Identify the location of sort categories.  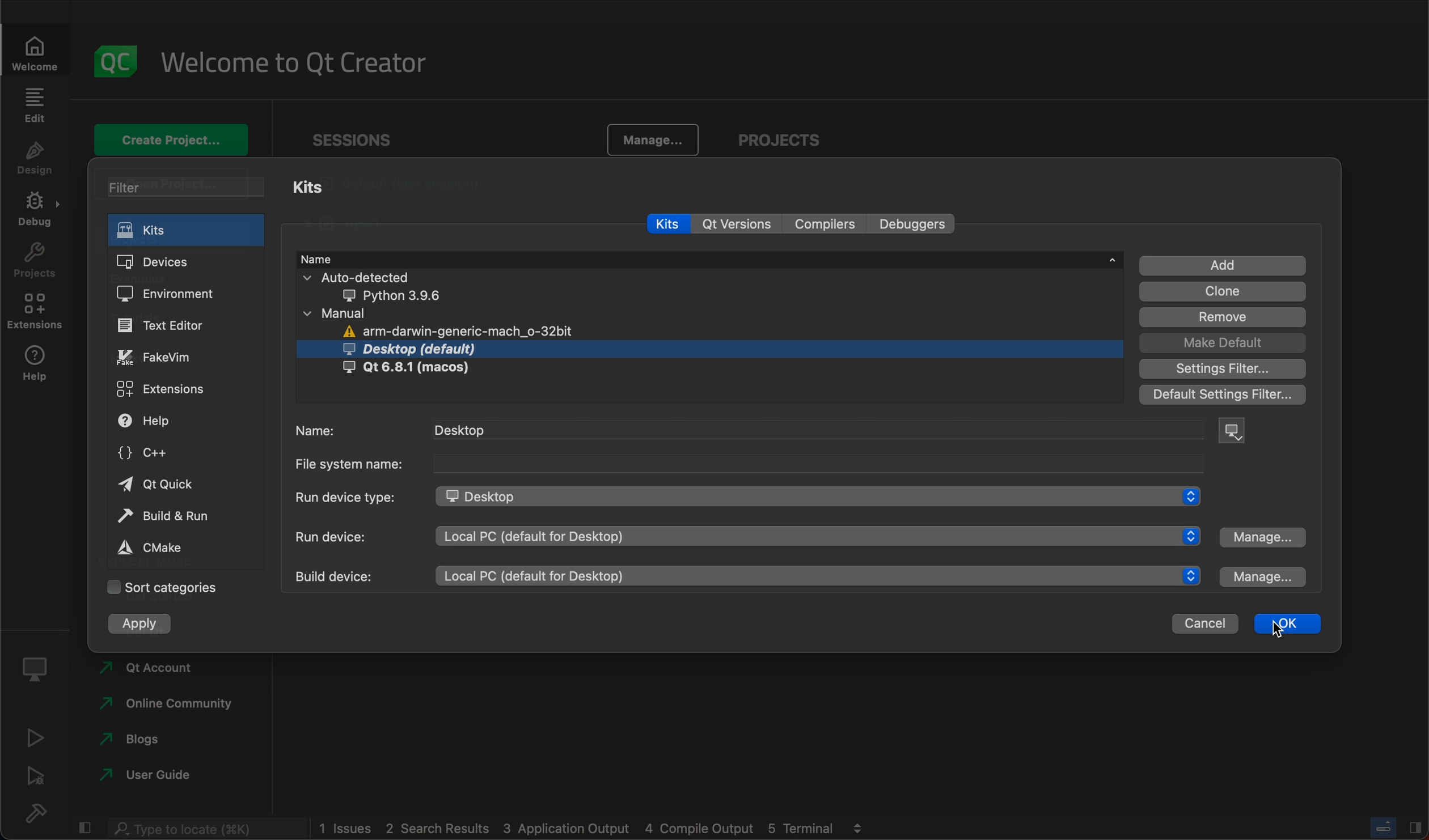
(162, 587).